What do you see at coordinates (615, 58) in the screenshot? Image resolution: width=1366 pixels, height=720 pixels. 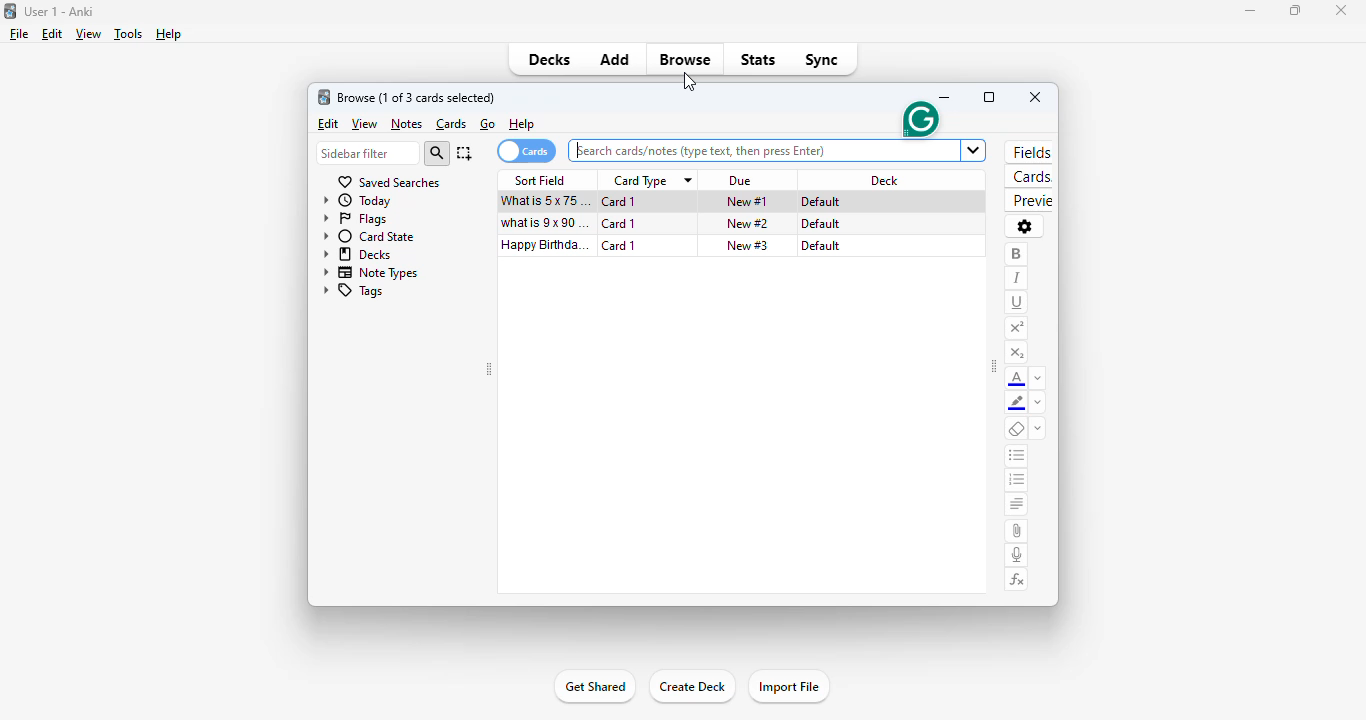 I see `add` at bounding box center [615, 58].